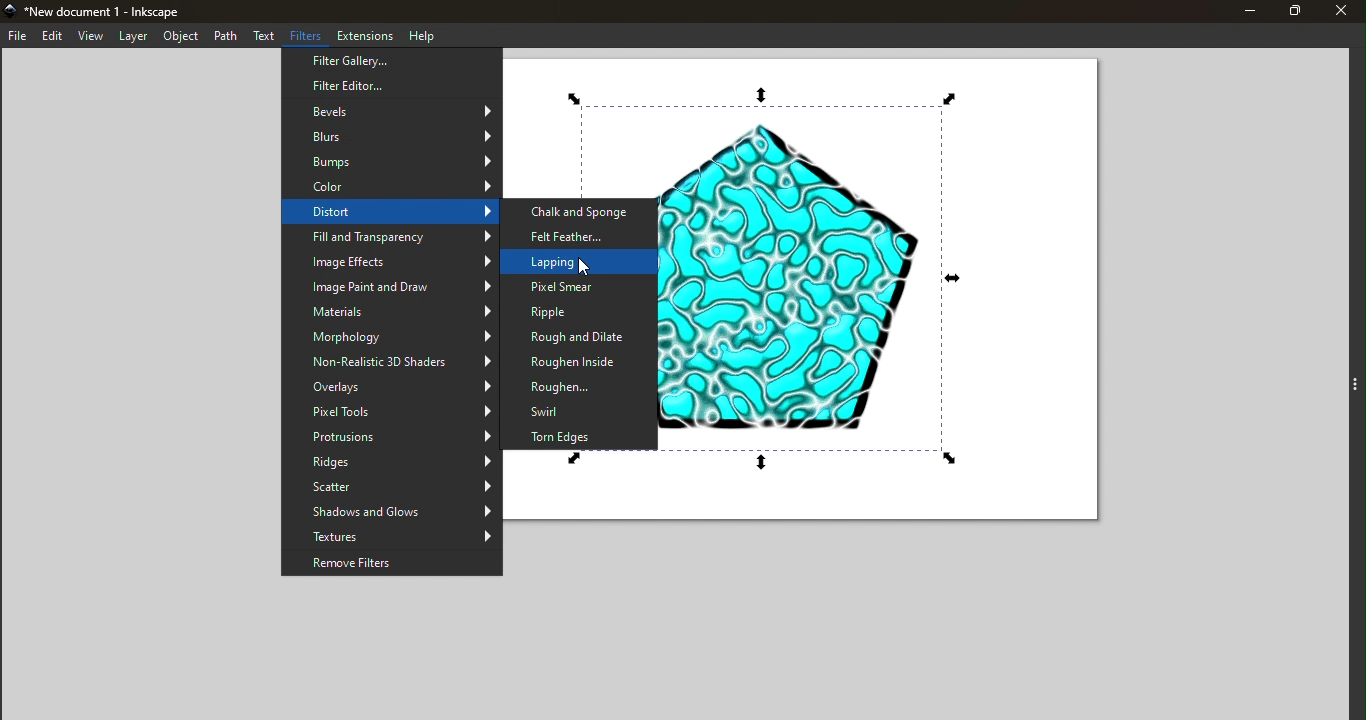  What do you see at coordinates (586, 269) in the screenshot?
I see `cursor` at bounding box center [586, 269].